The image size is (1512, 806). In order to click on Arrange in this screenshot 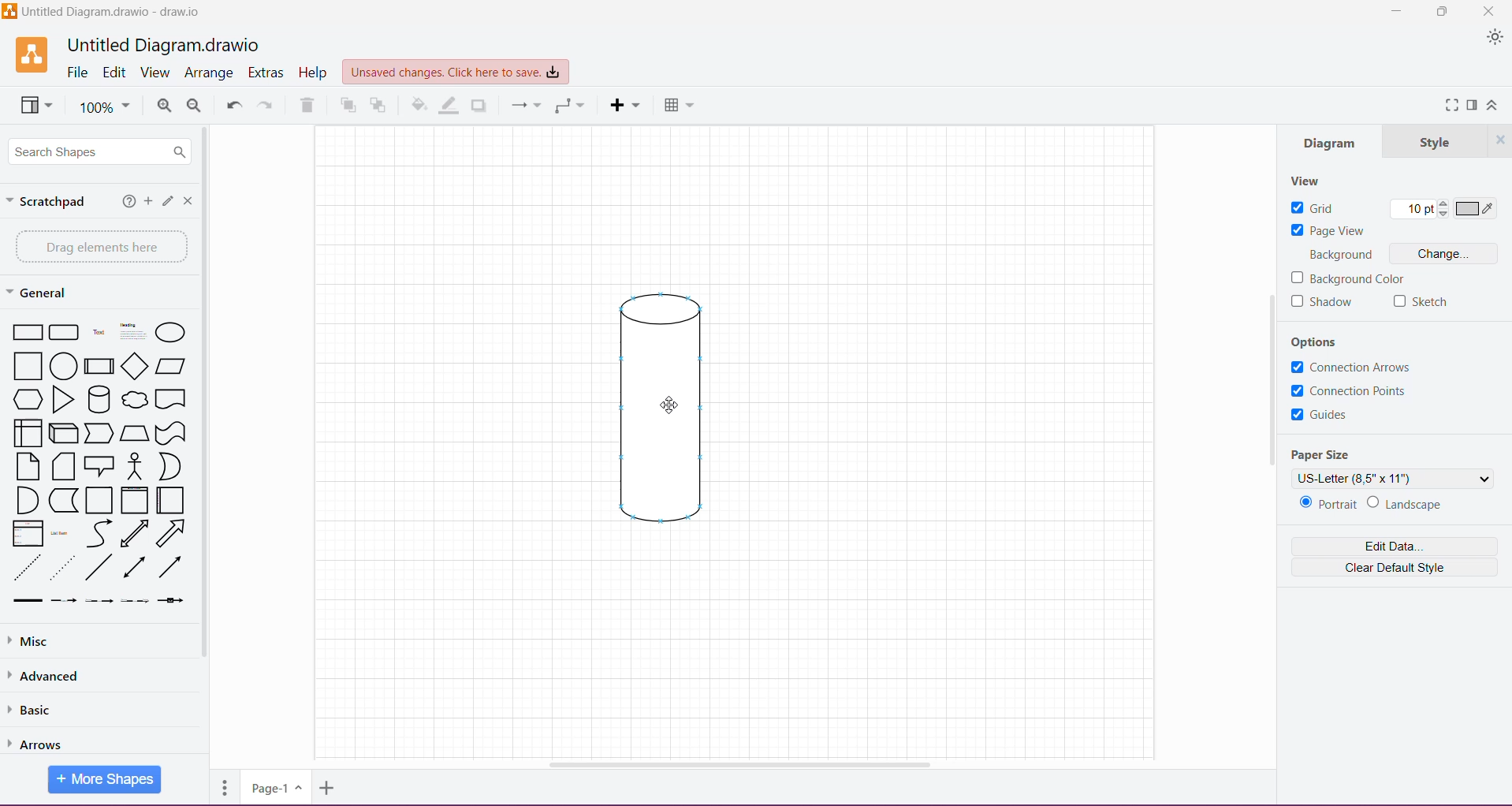, I will do `click(210, 73)`.